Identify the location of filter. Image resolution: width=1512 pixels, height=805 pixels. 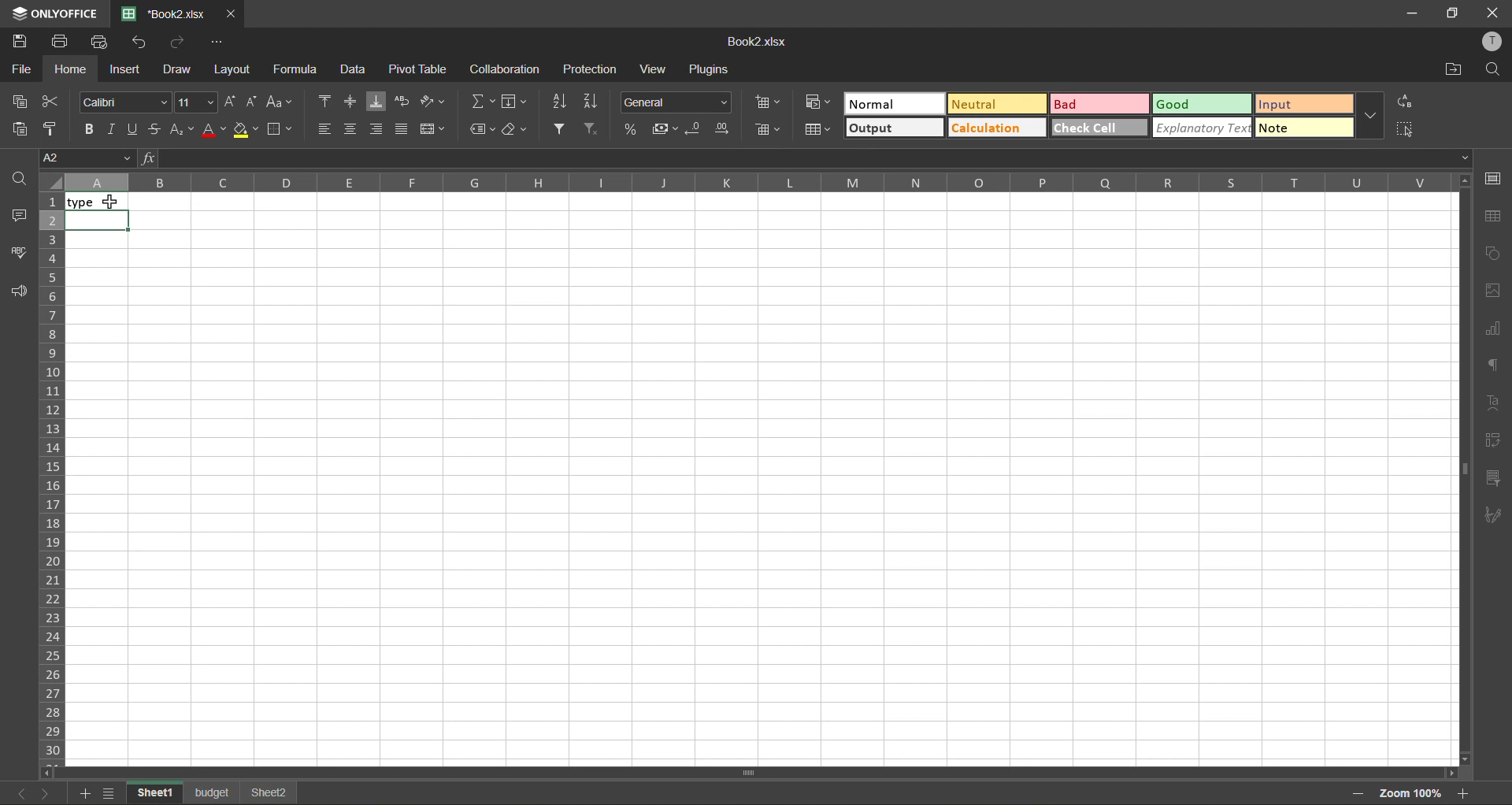
(561, 127).